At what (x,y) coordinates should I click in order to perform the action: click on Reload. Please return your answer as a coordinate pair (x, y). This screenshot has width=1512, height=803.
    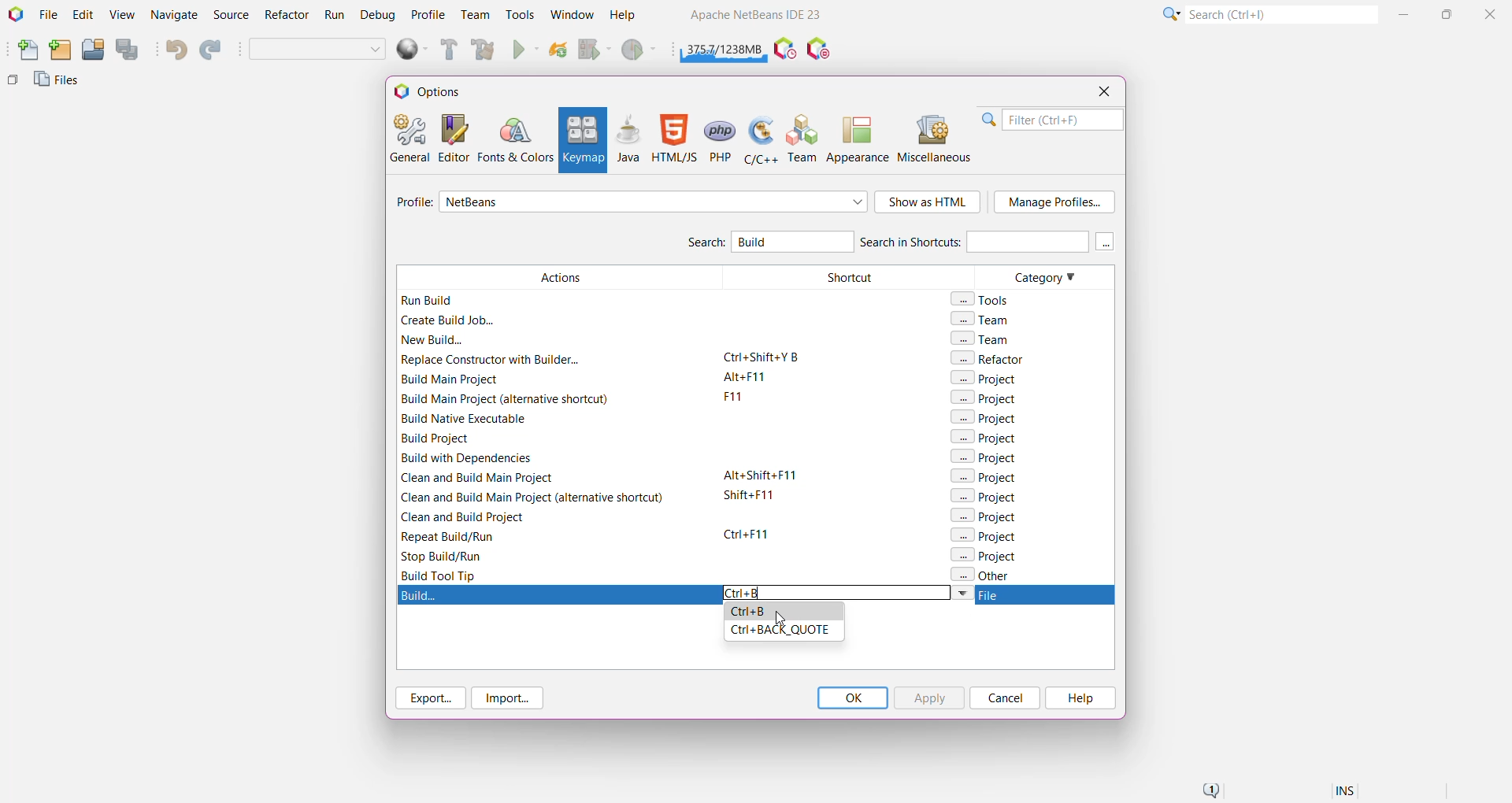
    Looking at the image, I should click on (558, 51).